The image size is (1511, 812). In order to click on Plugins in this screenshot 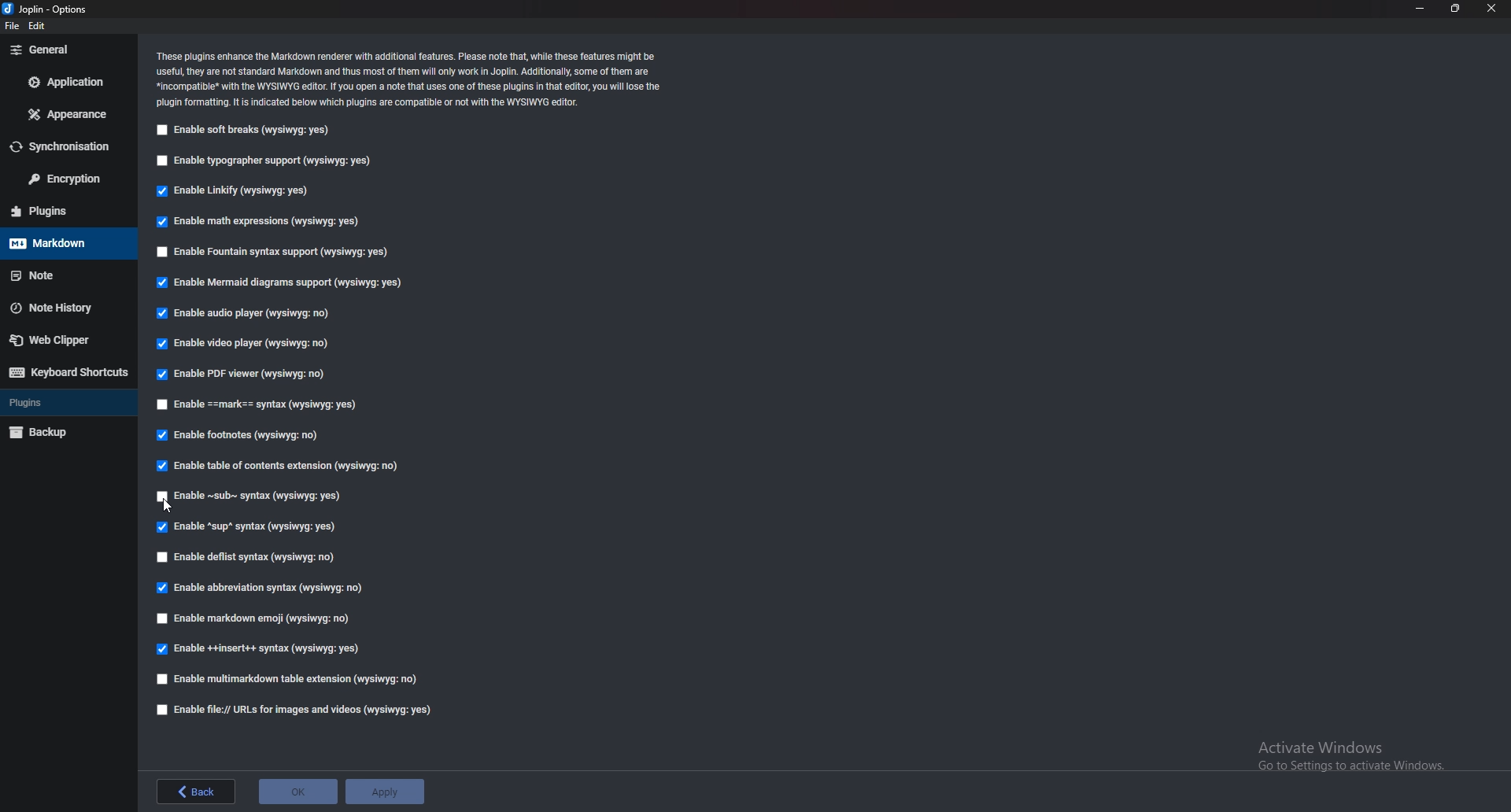, I will do `click(61, 212)`.